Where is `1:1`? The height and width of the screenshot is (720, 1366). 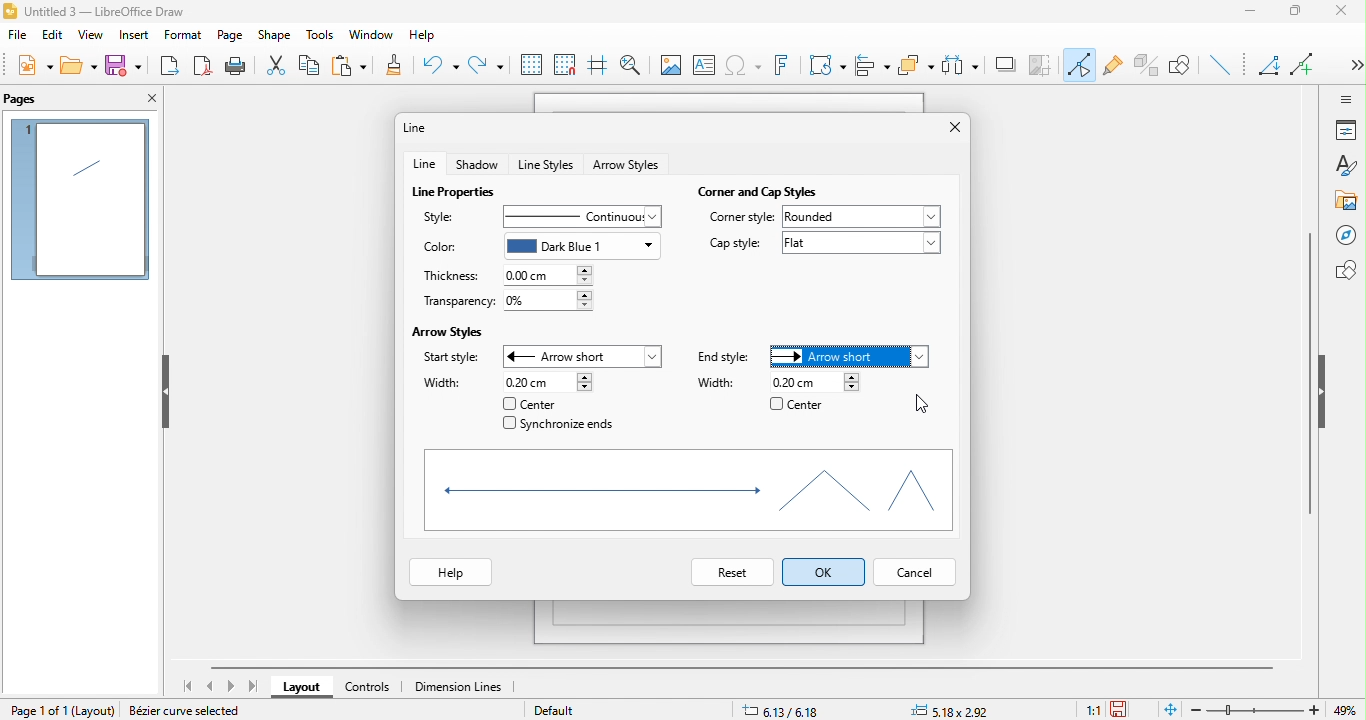 1:1 is located at coordinates (1092, 710).